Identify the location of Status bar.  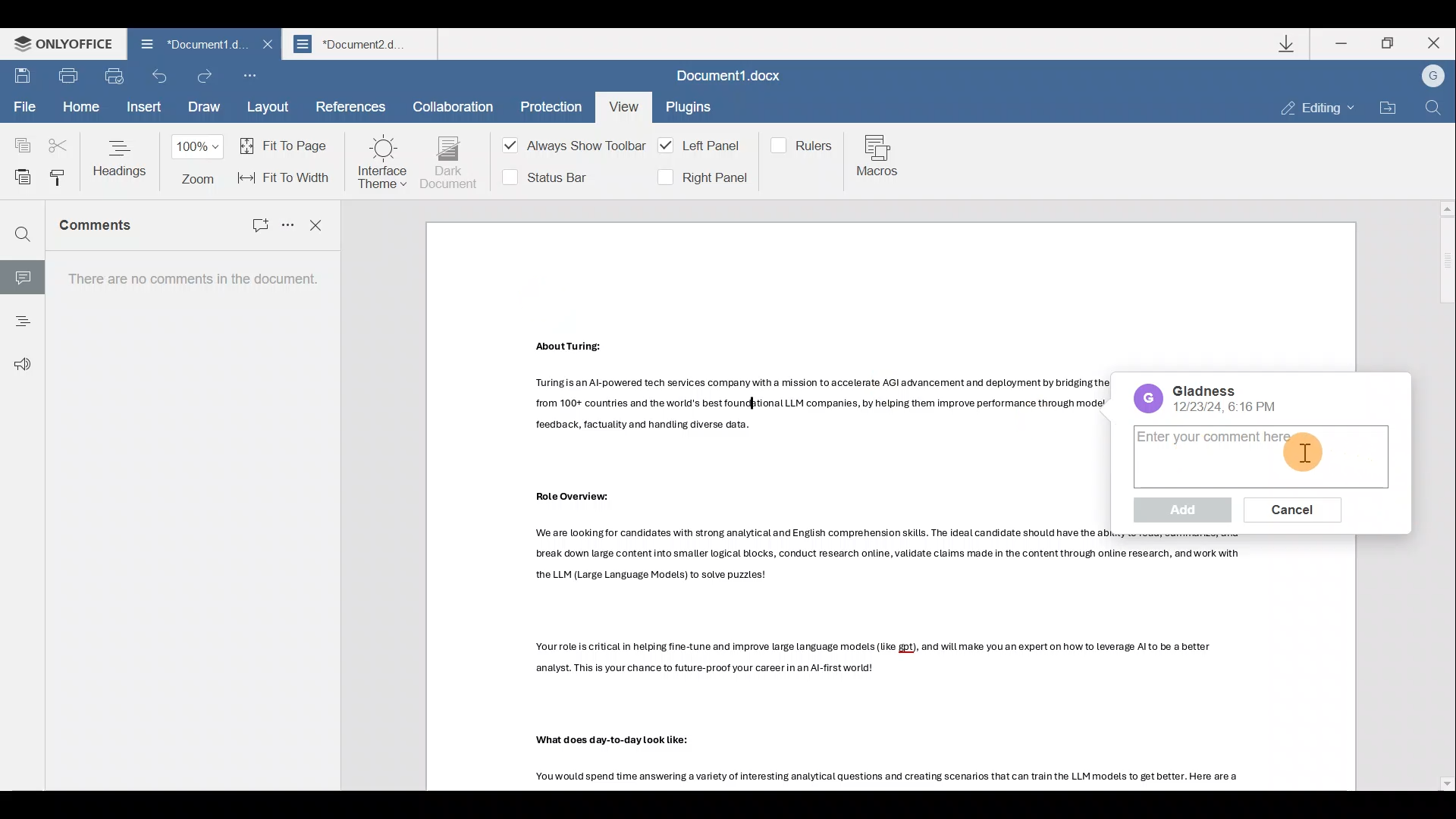
(551, 176).